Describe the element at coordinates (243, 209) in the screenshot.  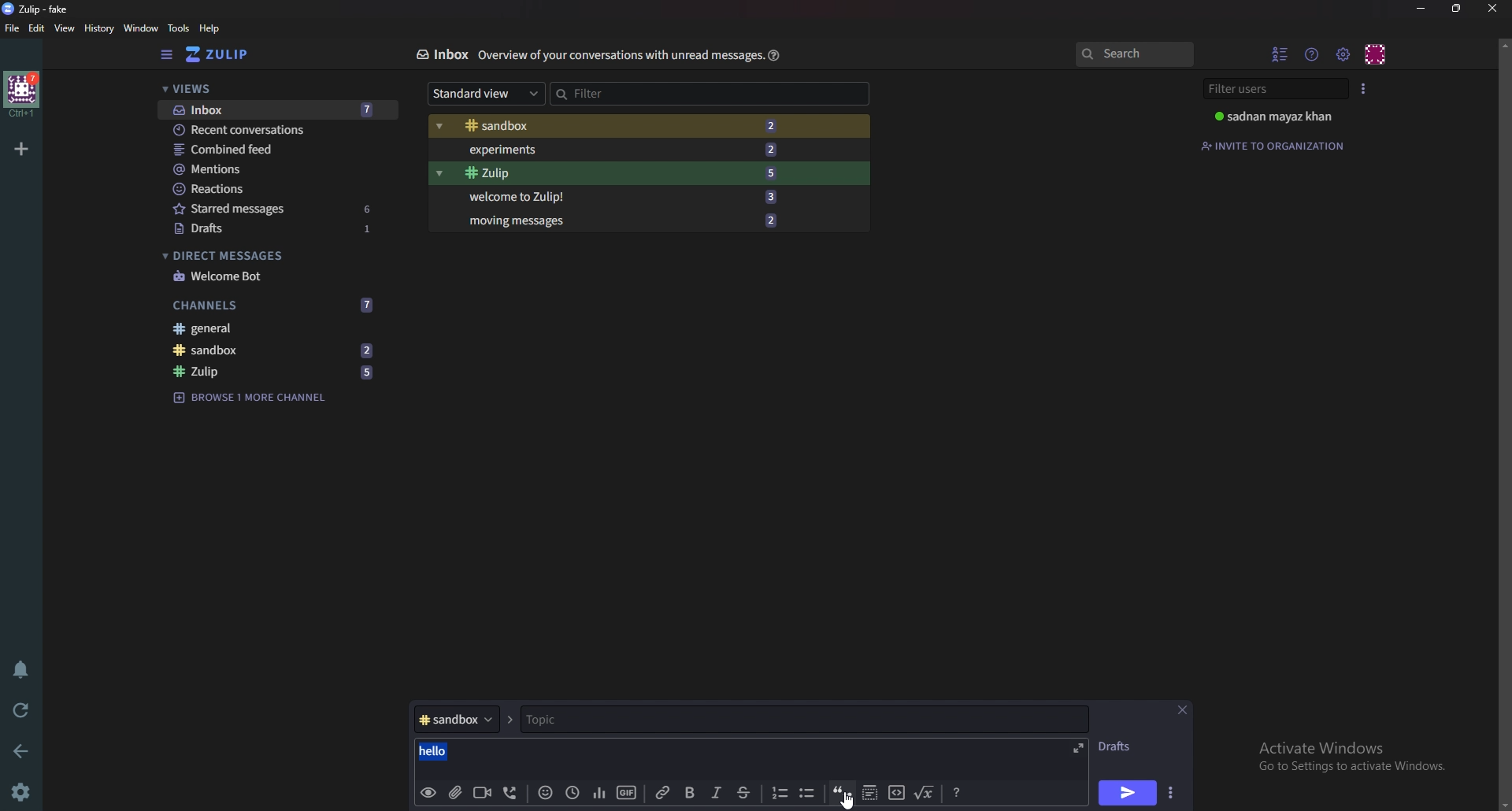
I see `starred messages` at that location.